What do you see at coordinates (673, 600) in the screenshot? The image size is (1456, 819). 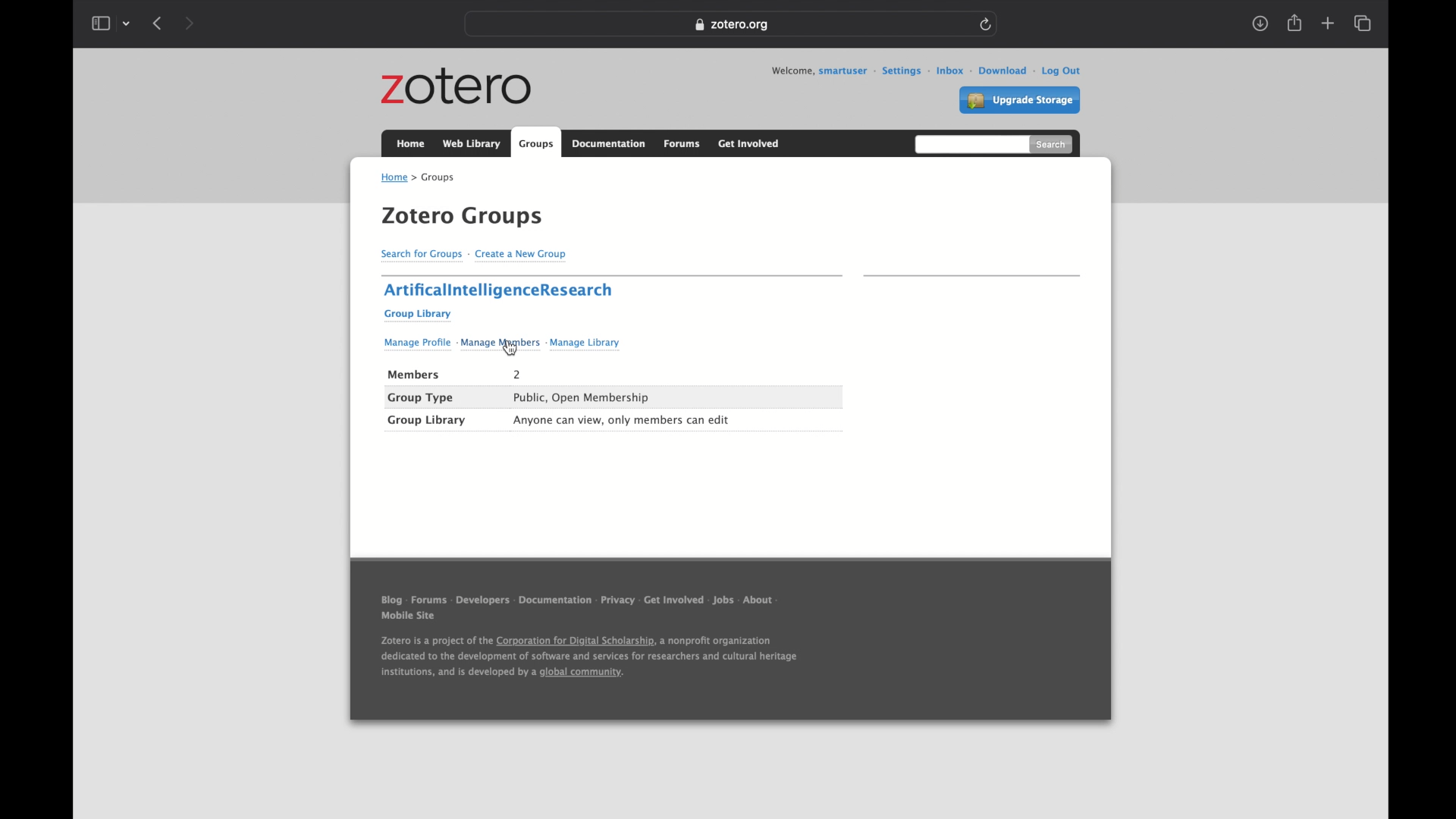 I see `get involved` at bounding box center [673, 600].